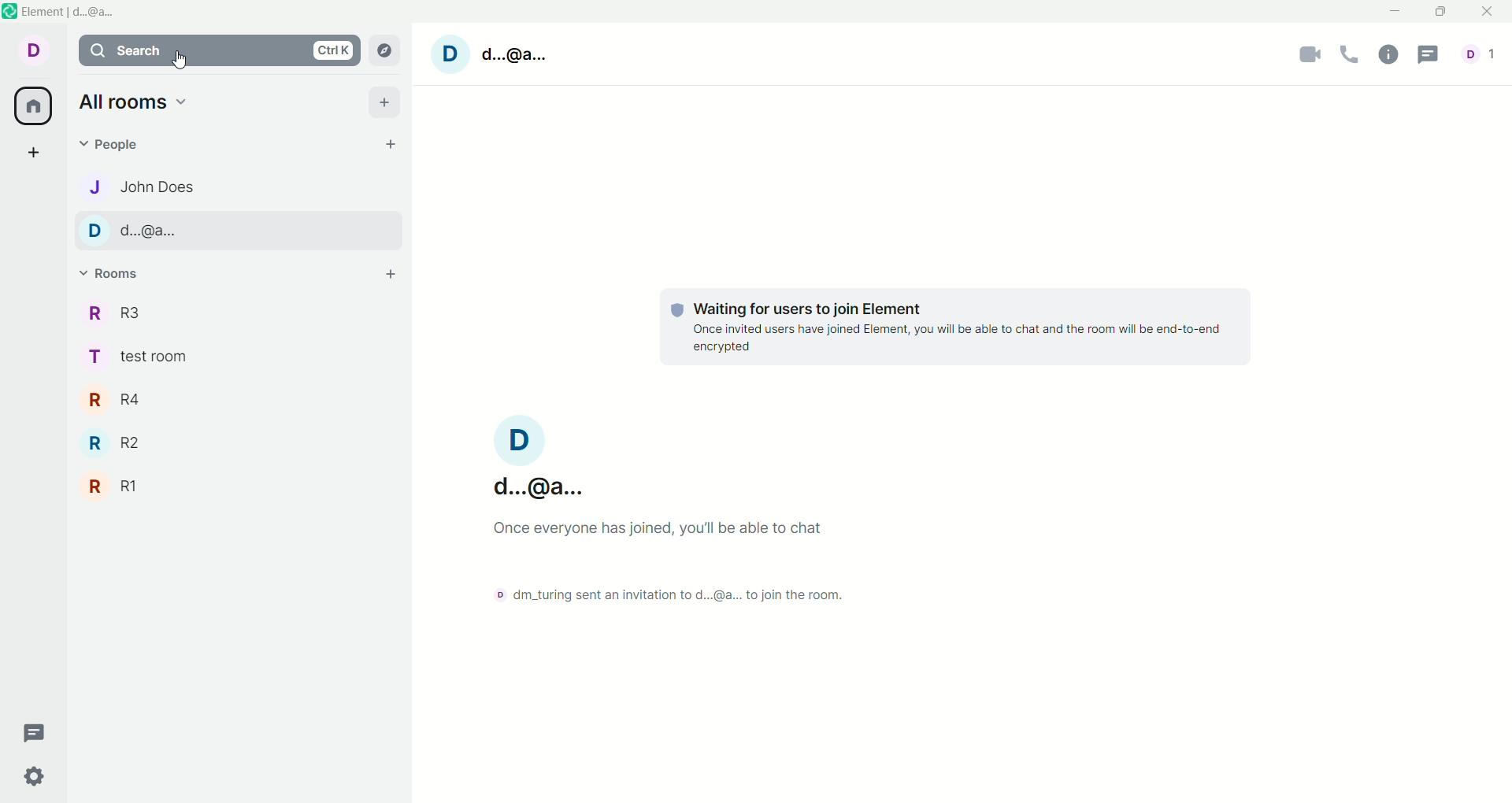  I want to click on maximize, so click(1443, 13).